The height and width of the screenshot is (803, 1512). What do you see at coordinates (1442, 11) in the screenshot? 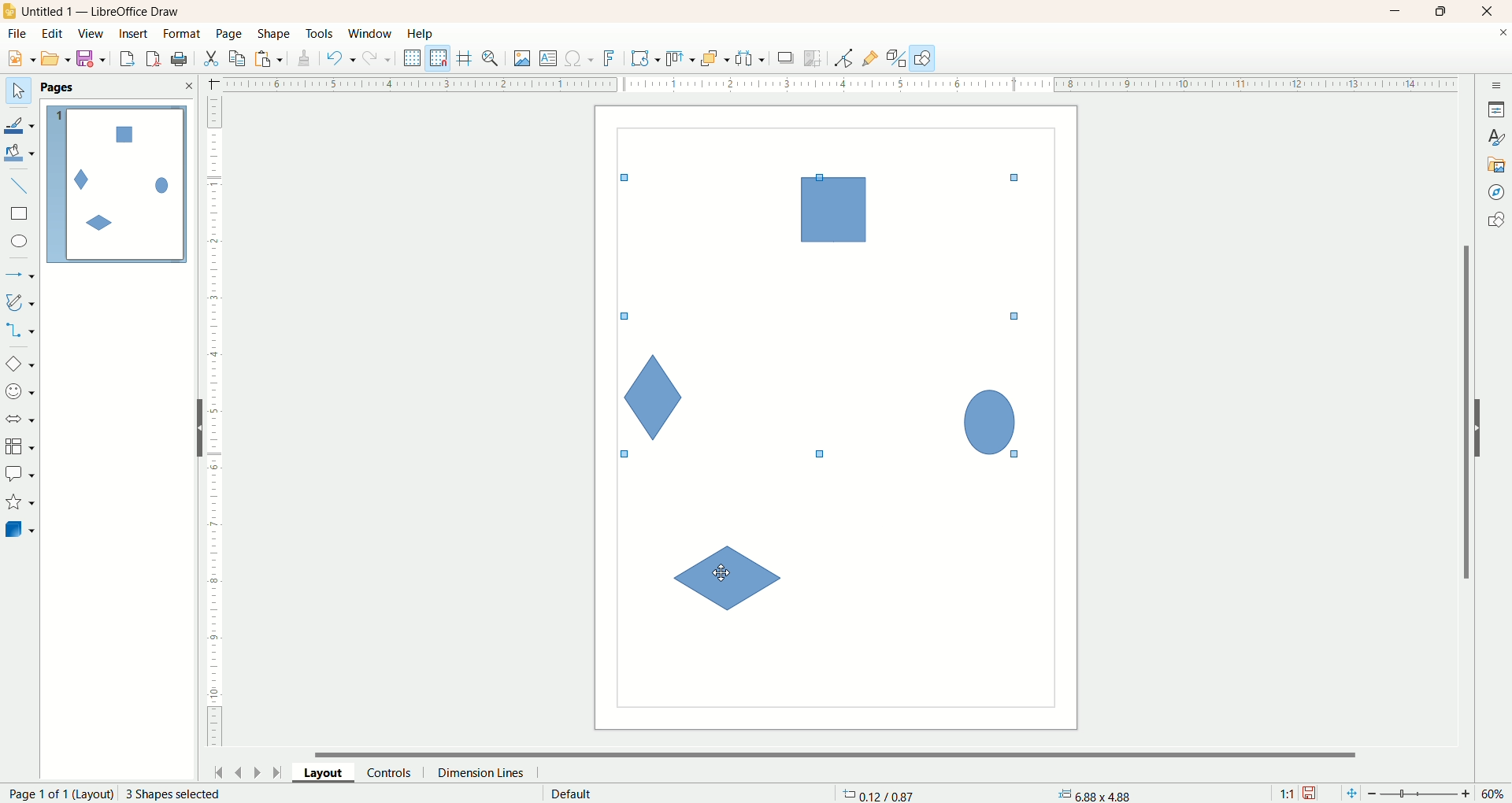
I see `maximize` at bounding box center [1442, 11].